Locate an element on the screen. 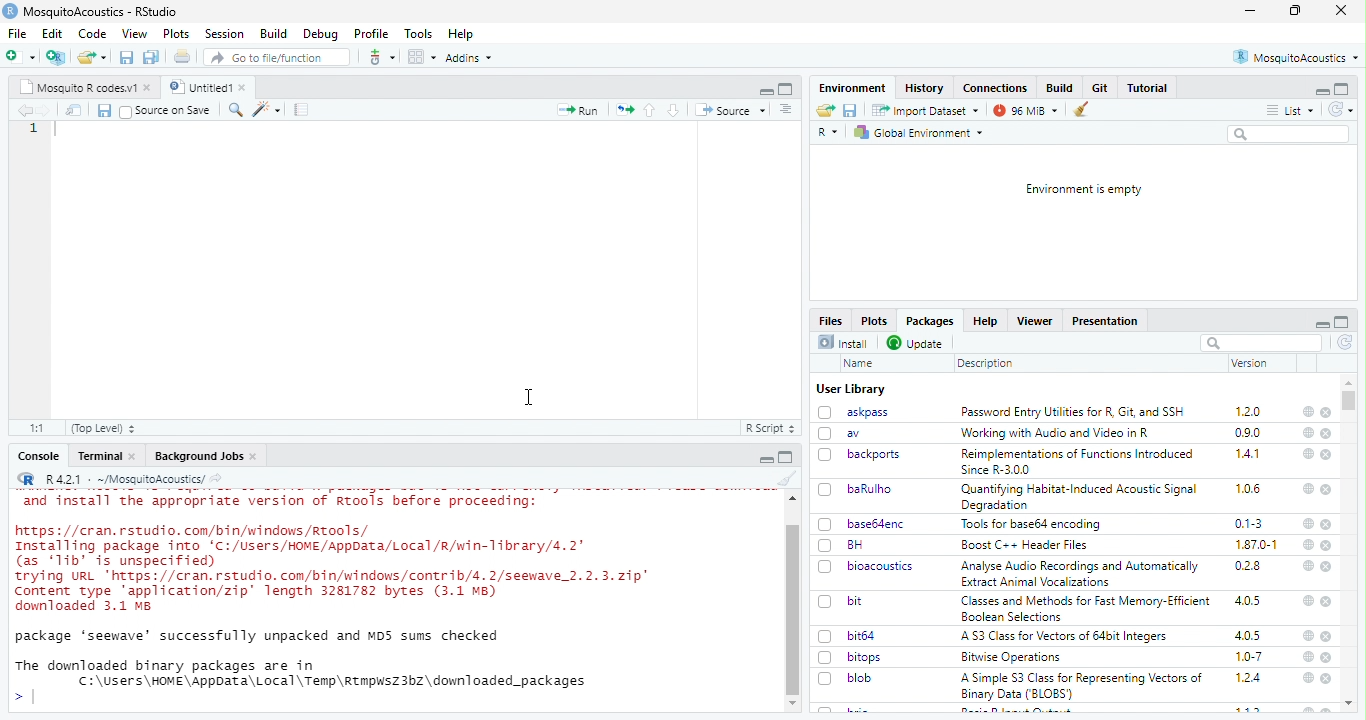 The image size is (1366, 720). 405 is located at coordinates (1249, 601).